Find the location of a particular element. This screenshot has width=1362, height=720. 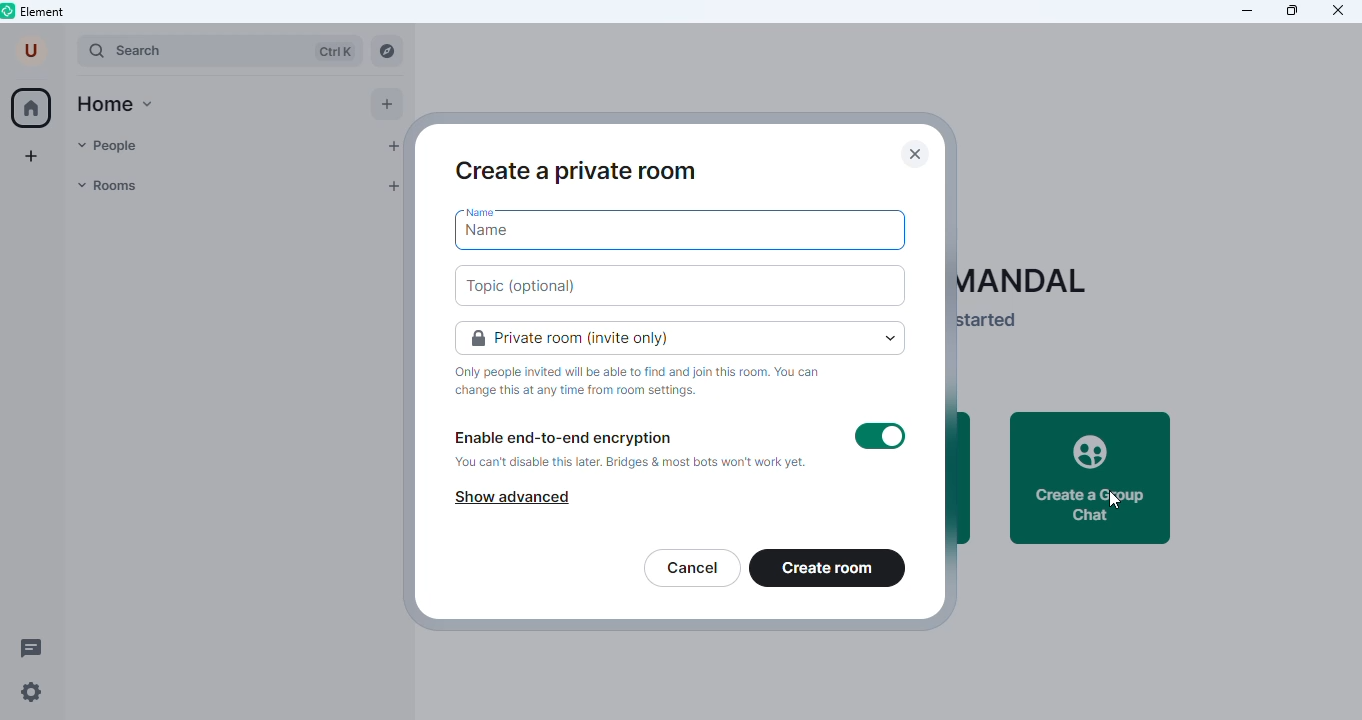

create a space is located at coordinates (35, 157).